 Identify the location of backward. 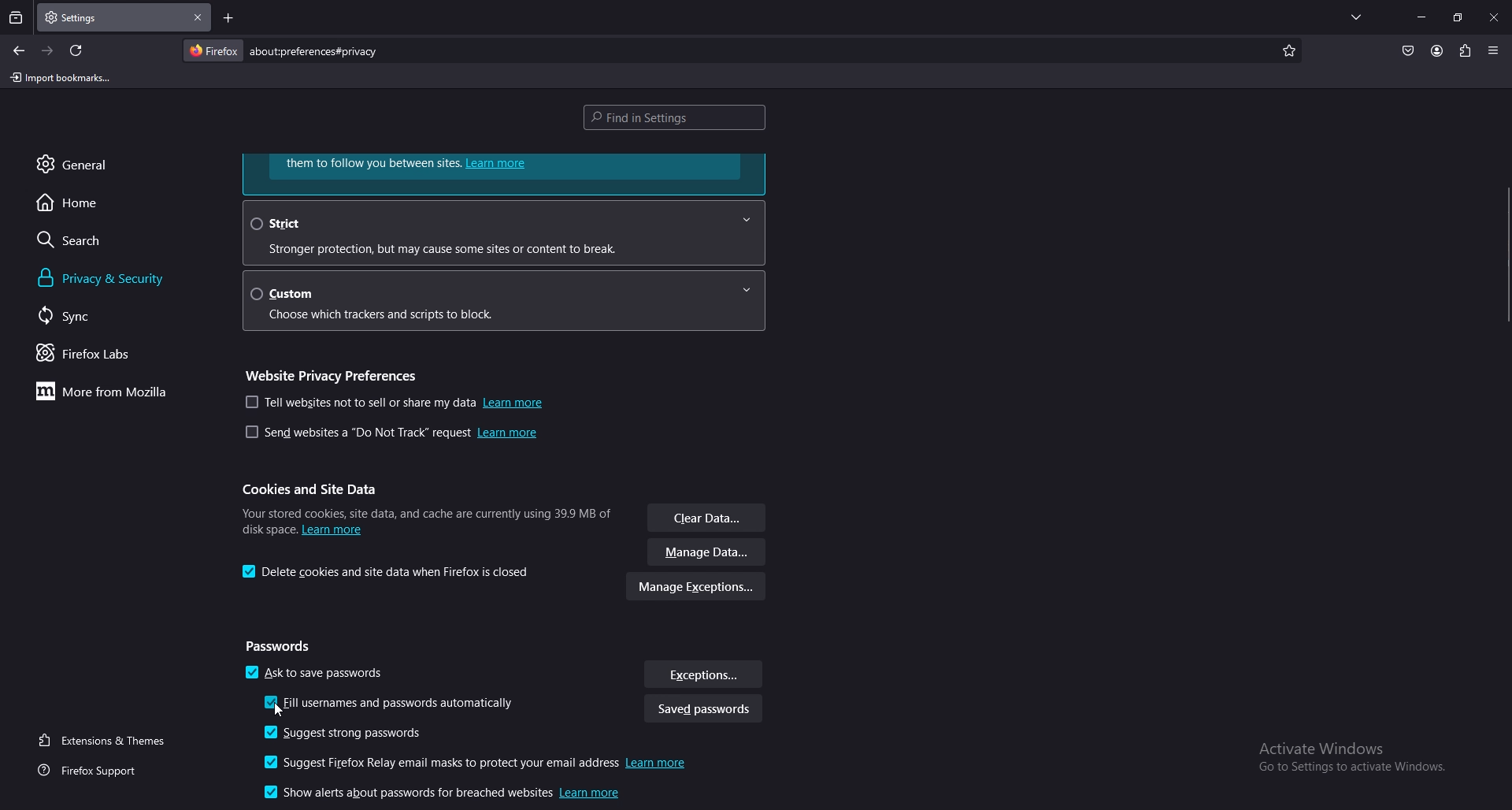
(20, 51).